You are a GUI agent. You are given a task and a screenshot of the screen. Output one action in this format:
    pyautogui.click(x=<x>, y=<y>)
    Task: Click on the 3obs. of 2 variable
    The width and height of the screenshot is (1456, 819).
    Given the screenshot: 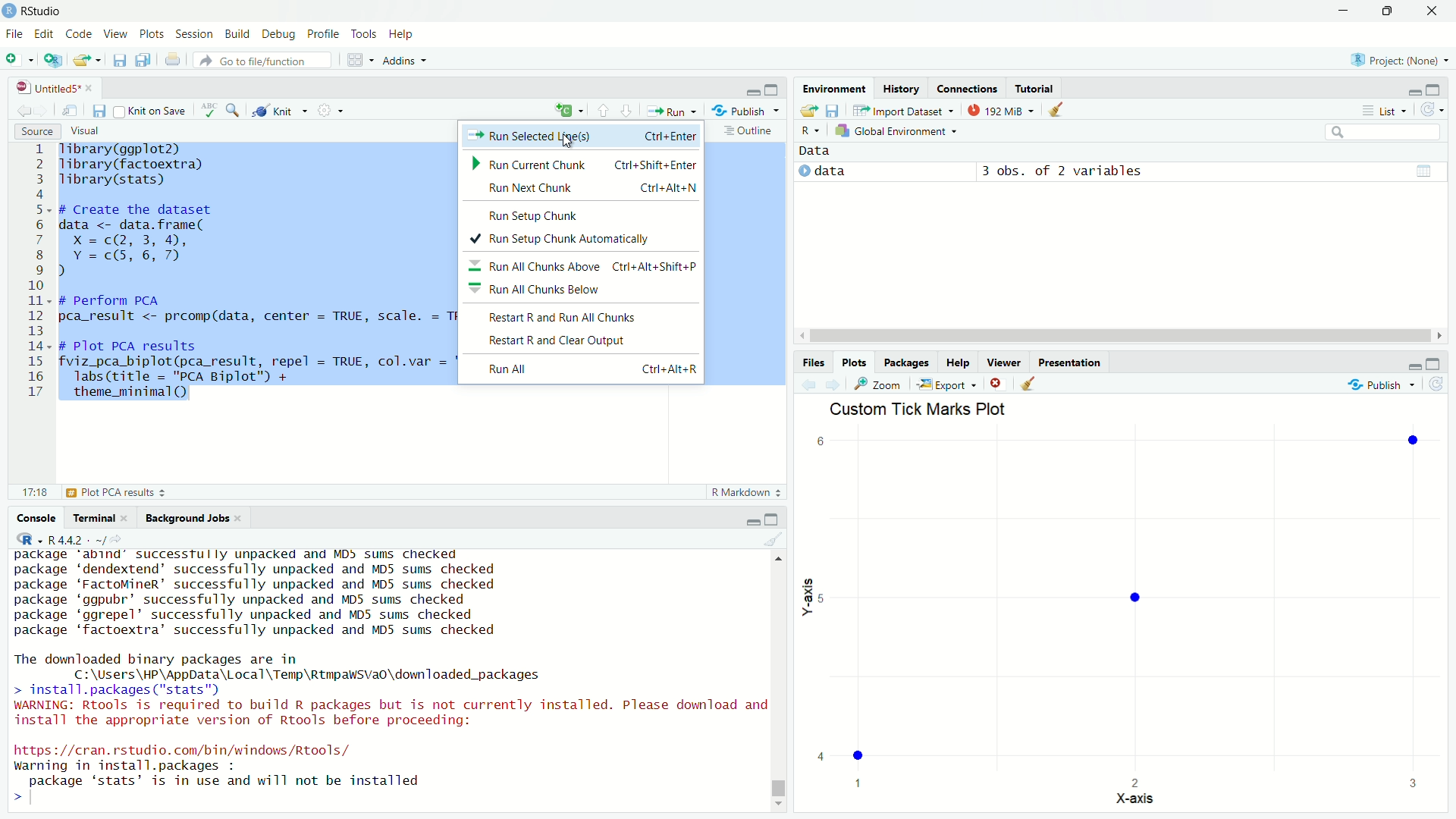 What is the action you would take?
    pyautogui.click(x=1203, y=173)
    